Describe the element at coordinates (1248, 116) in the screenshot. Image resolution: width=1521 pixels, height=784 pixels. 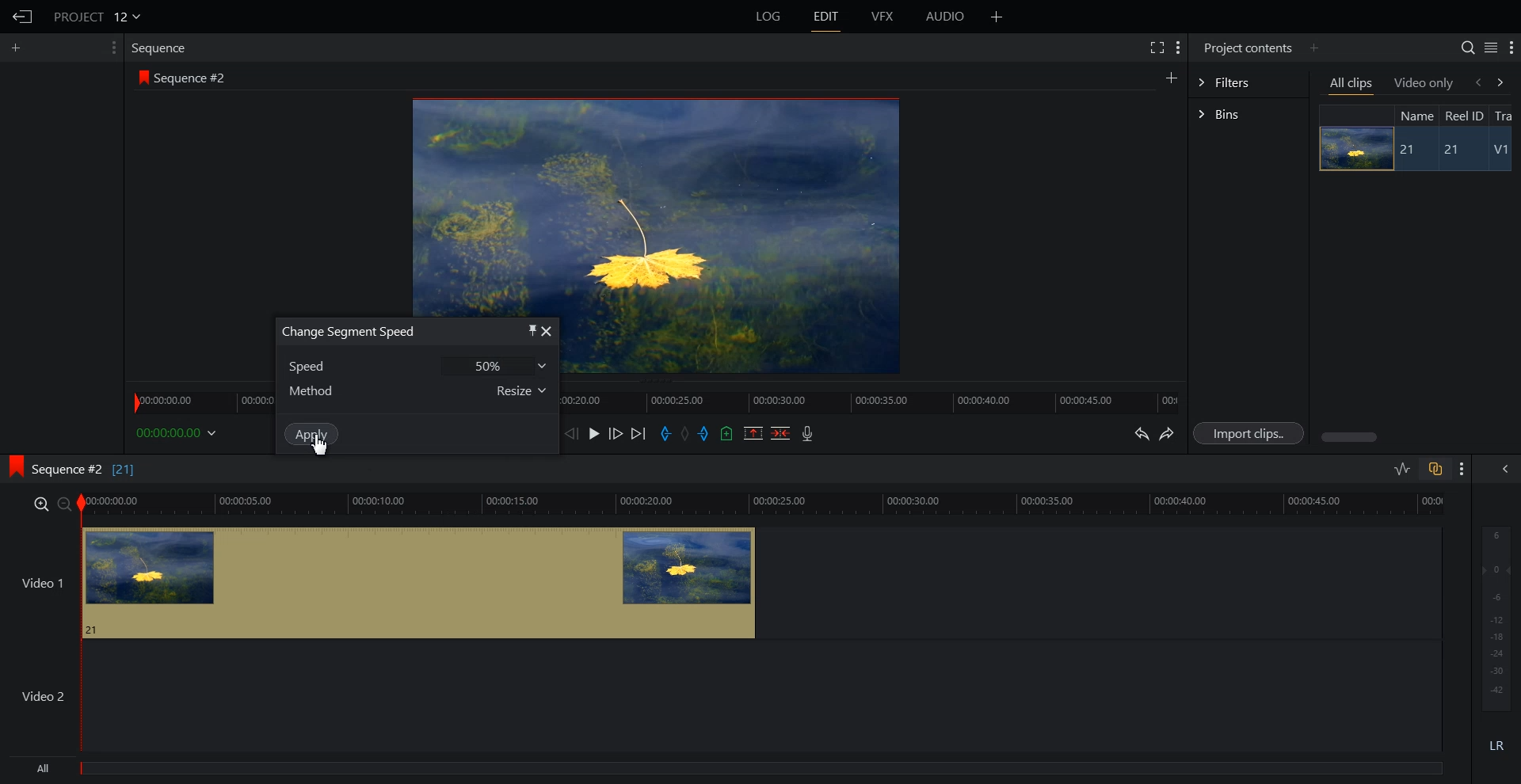
I see `Bins` at that location.